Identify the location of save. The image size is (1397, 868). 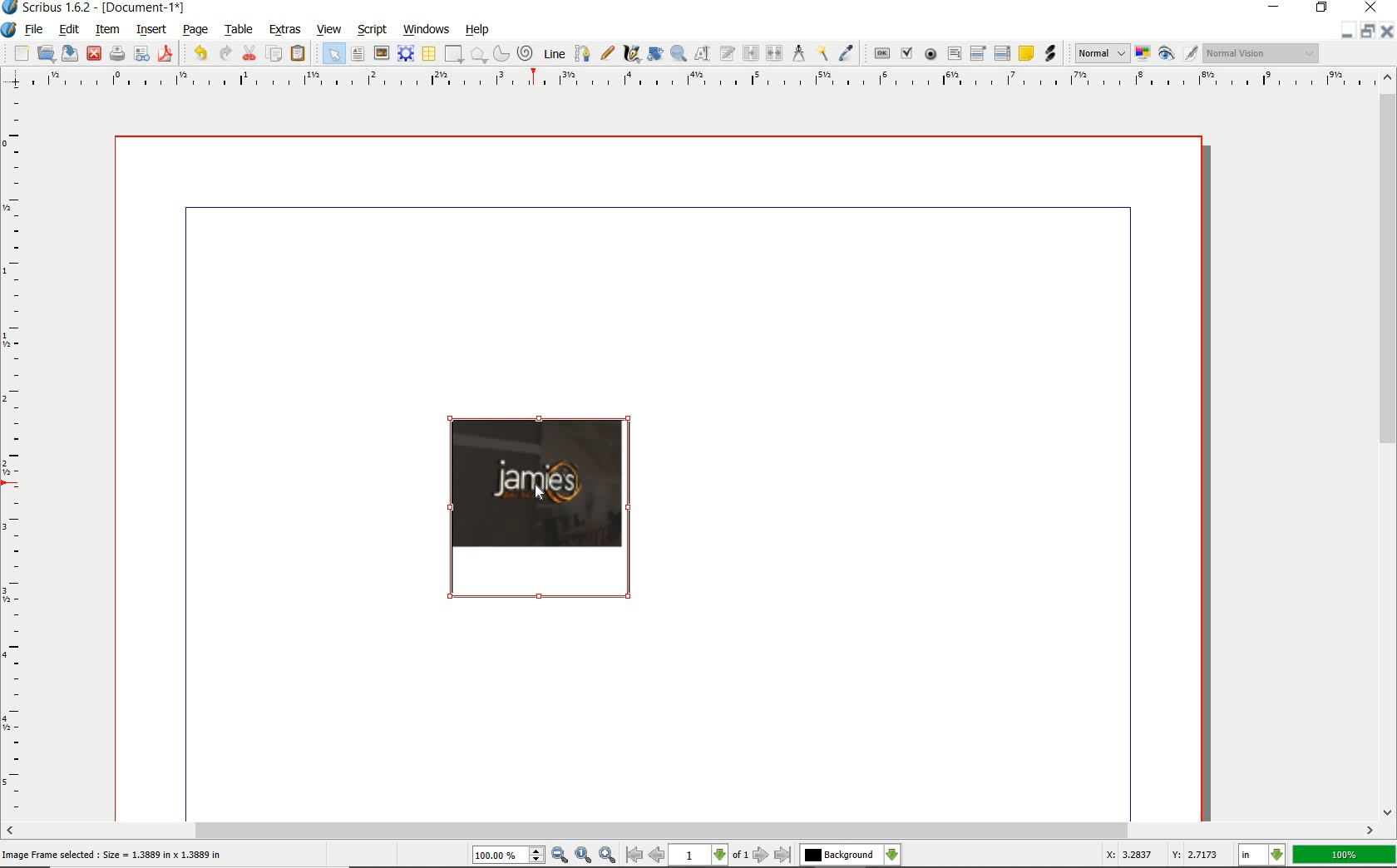
(71, 53).